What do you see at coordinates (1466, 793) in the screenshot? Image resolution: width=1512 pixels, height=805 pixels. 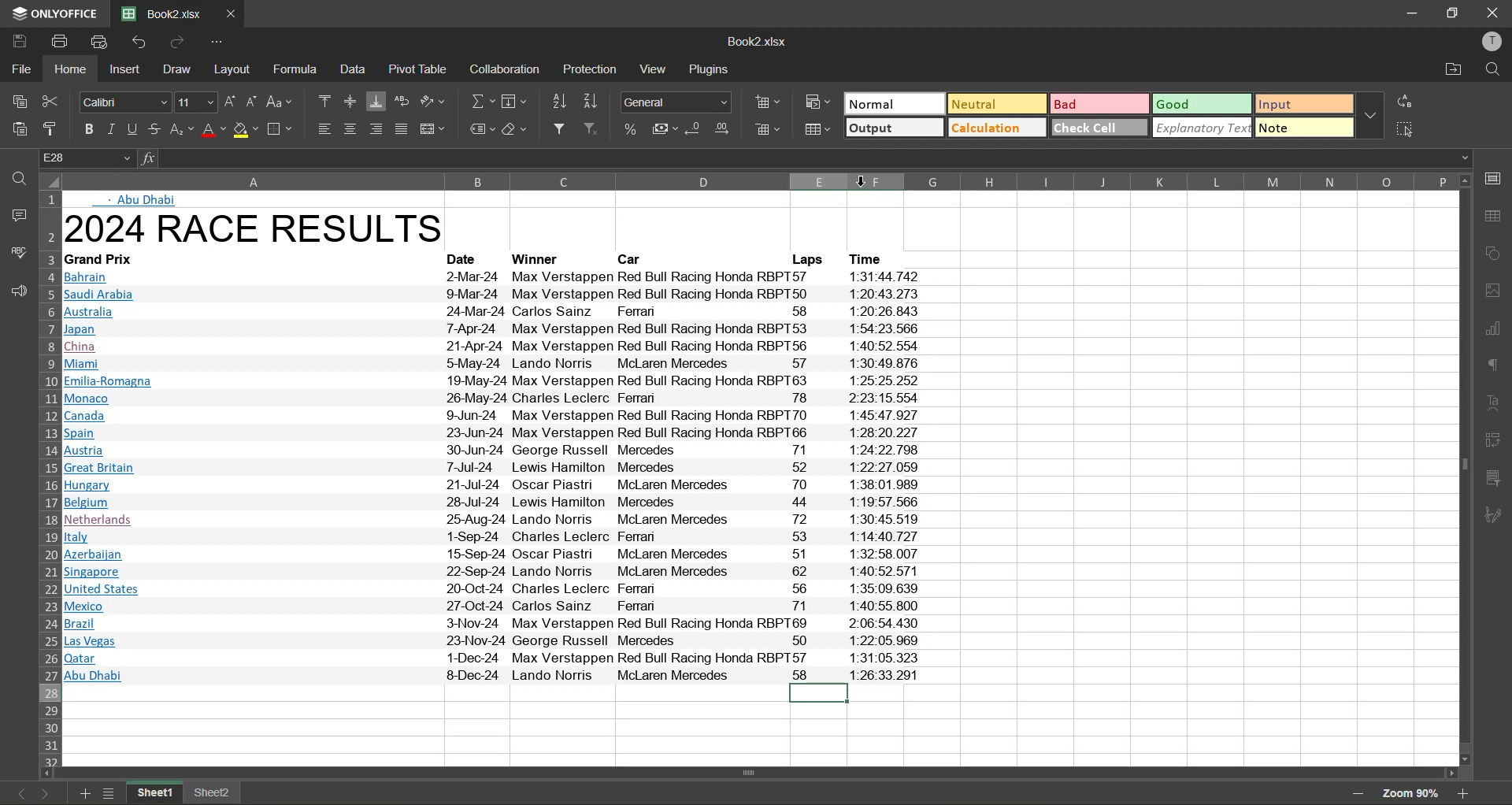 I see `zoom in` at bounding box center [1466, 793].